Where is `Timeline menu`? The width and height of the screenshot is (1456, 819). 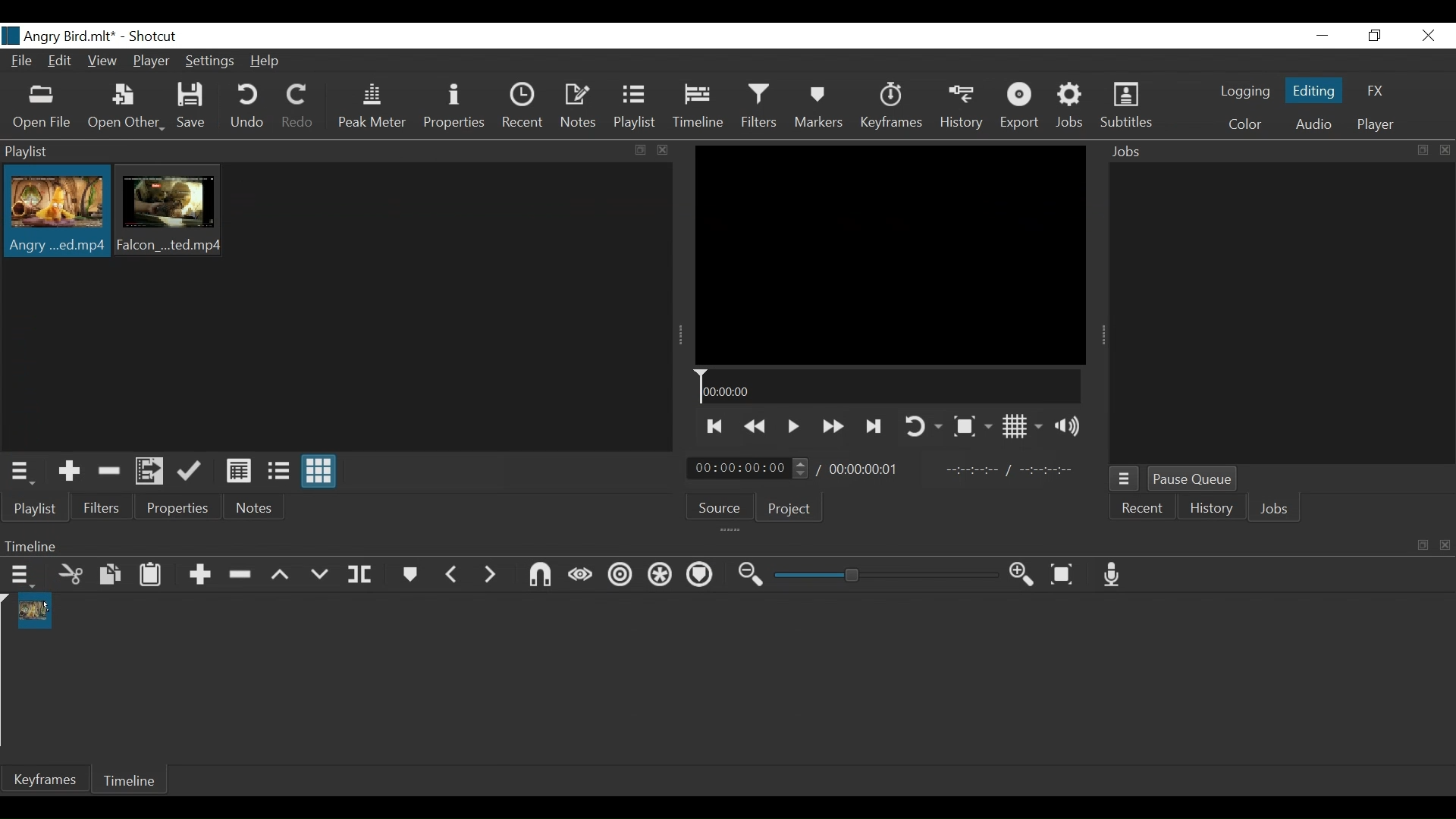
Timeline menu is located at coordinates (724, 545).